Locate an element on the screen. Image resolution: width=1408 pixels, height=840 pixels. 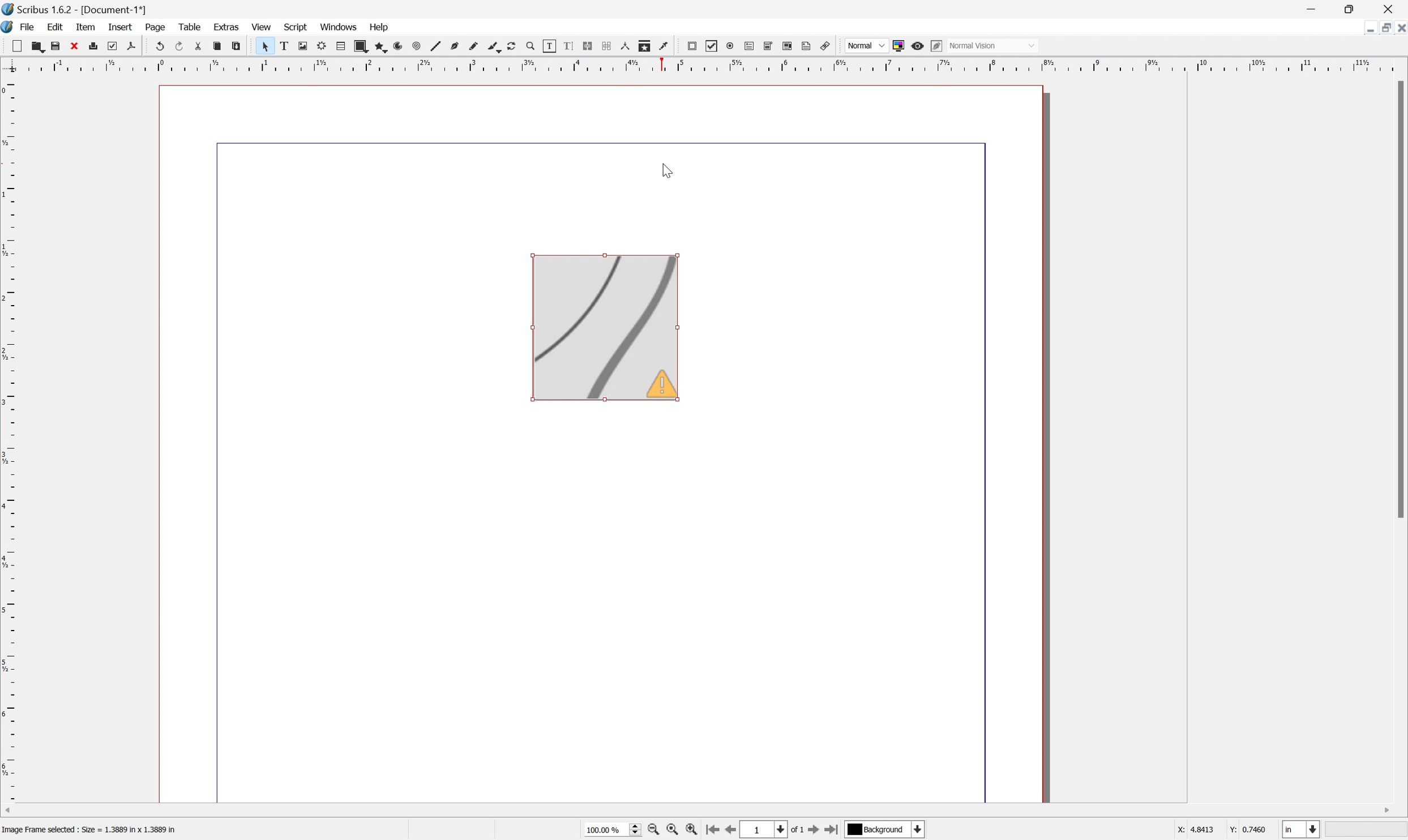
Edit text with story editor is located at coordinates (574, 46).